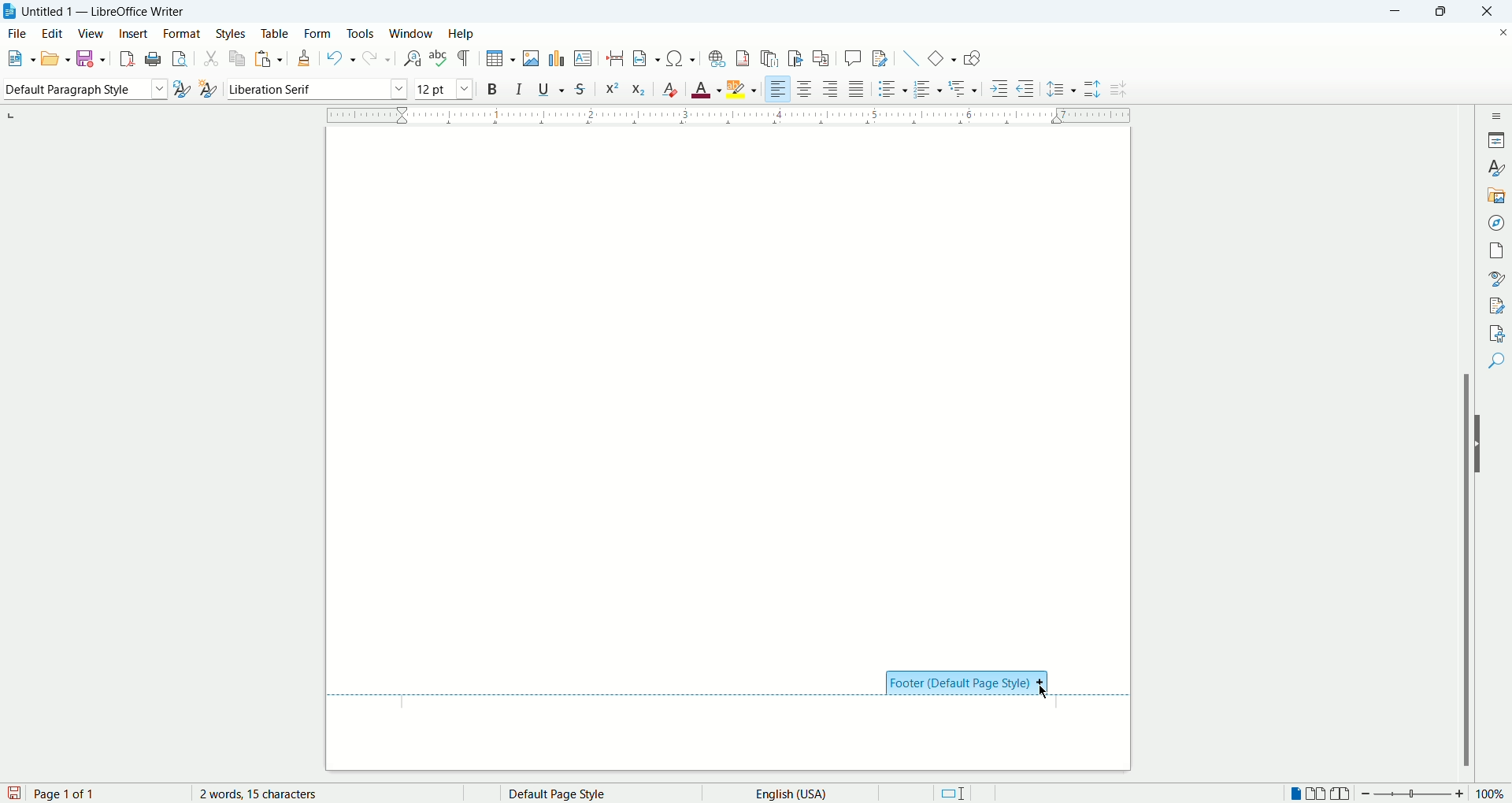 This screenshot has width=1512, height=803. Describe the element at coordinates (440, 58) in the screenshot. I see `spell check` at that location.